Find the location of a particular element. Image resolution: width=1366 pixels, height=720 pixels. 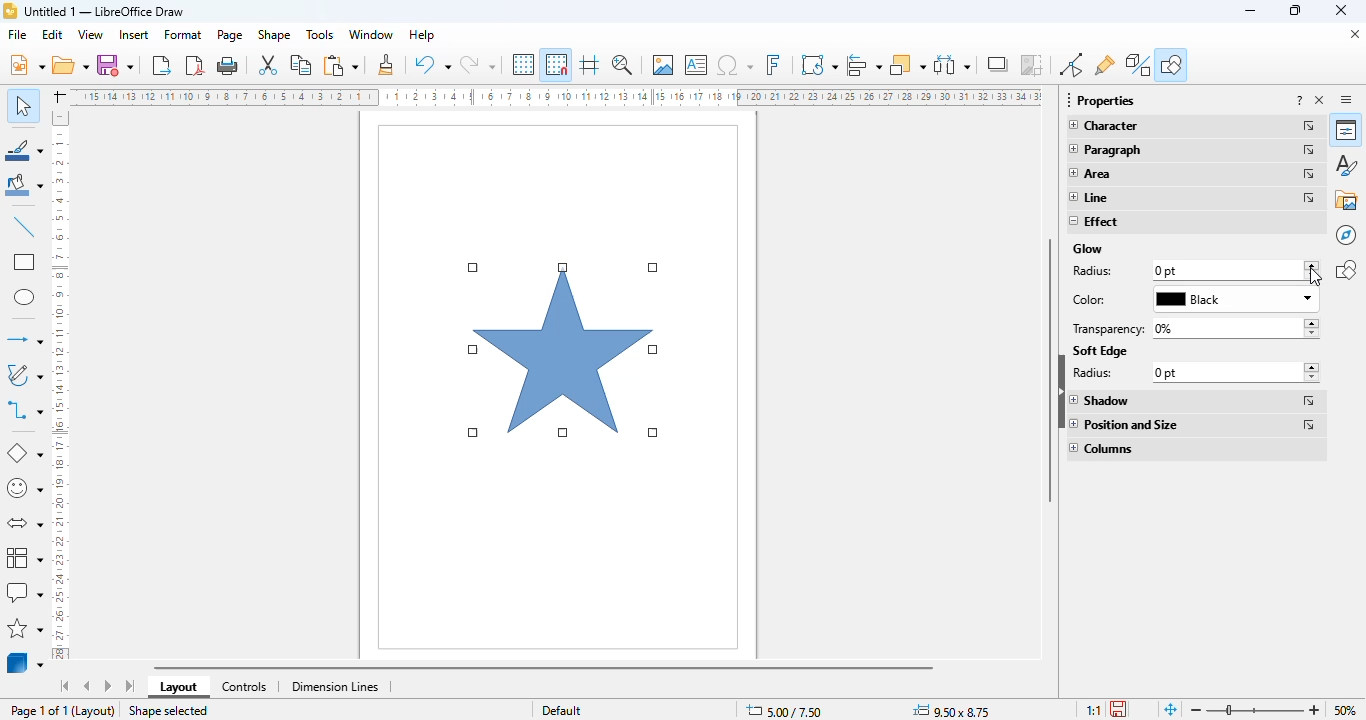

help about this sidebar deck is located at coordinates (1300, 100).